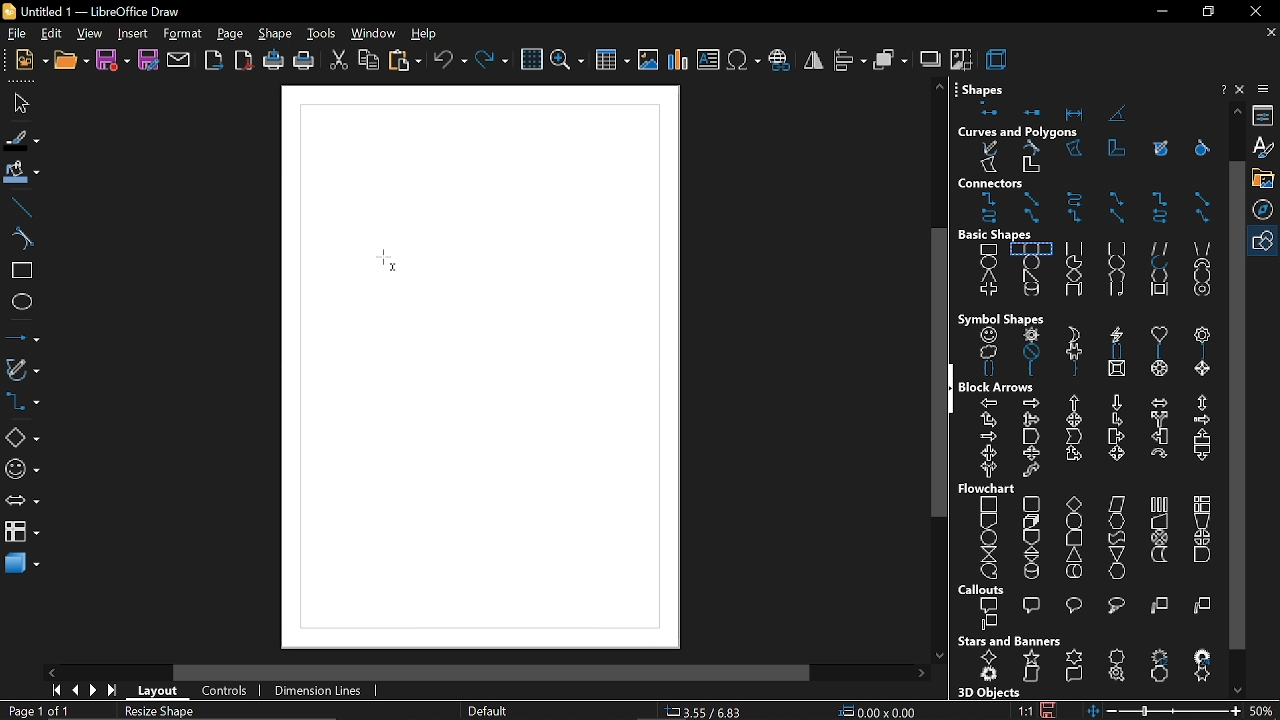 Image resolution: width=1280 pixels, height=720 pixels. I want to click on insert chart, so click(678, 60).